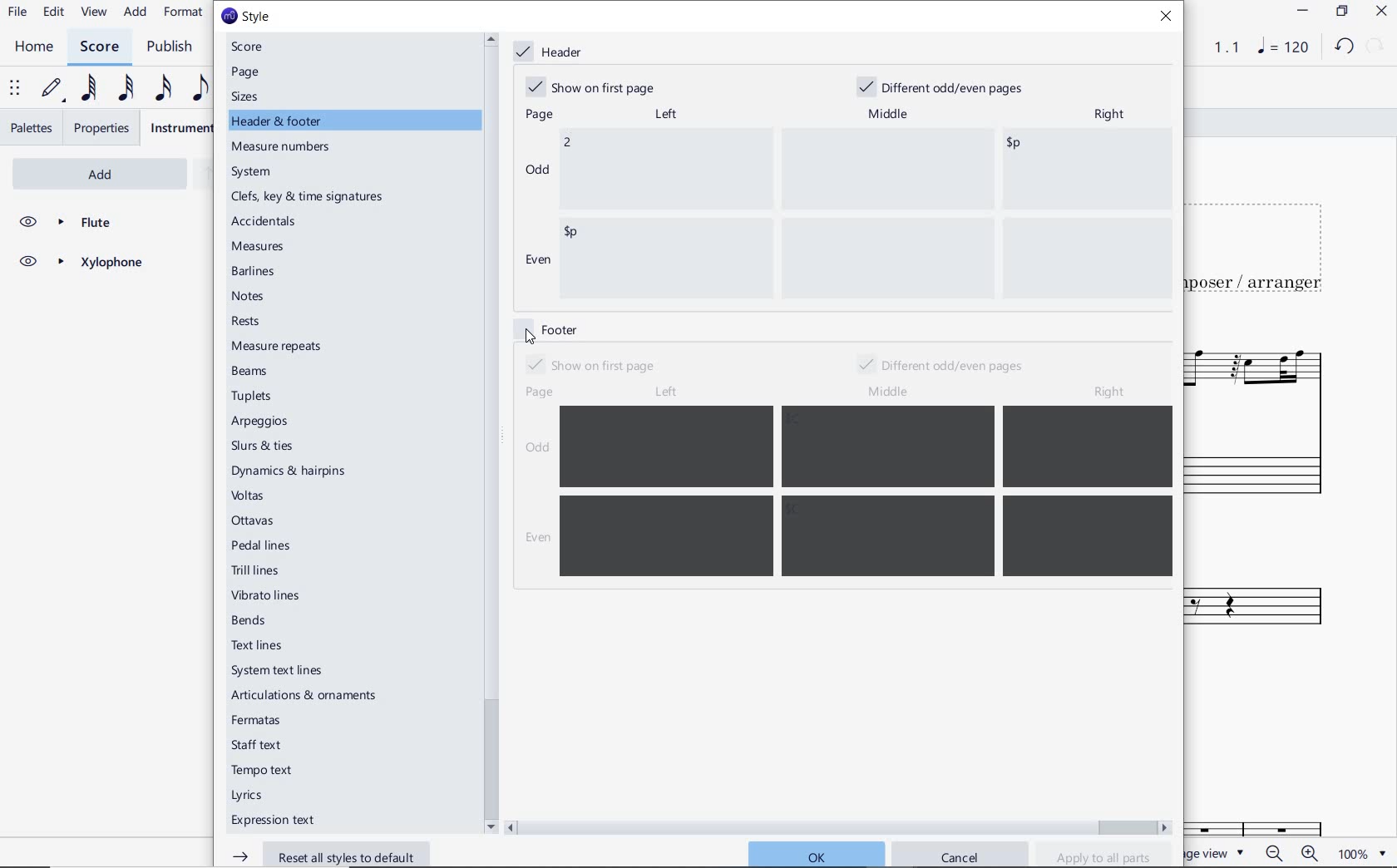  Describe the element at coordinates (249, 496) in the screenshot. I see `voltas` at that location.